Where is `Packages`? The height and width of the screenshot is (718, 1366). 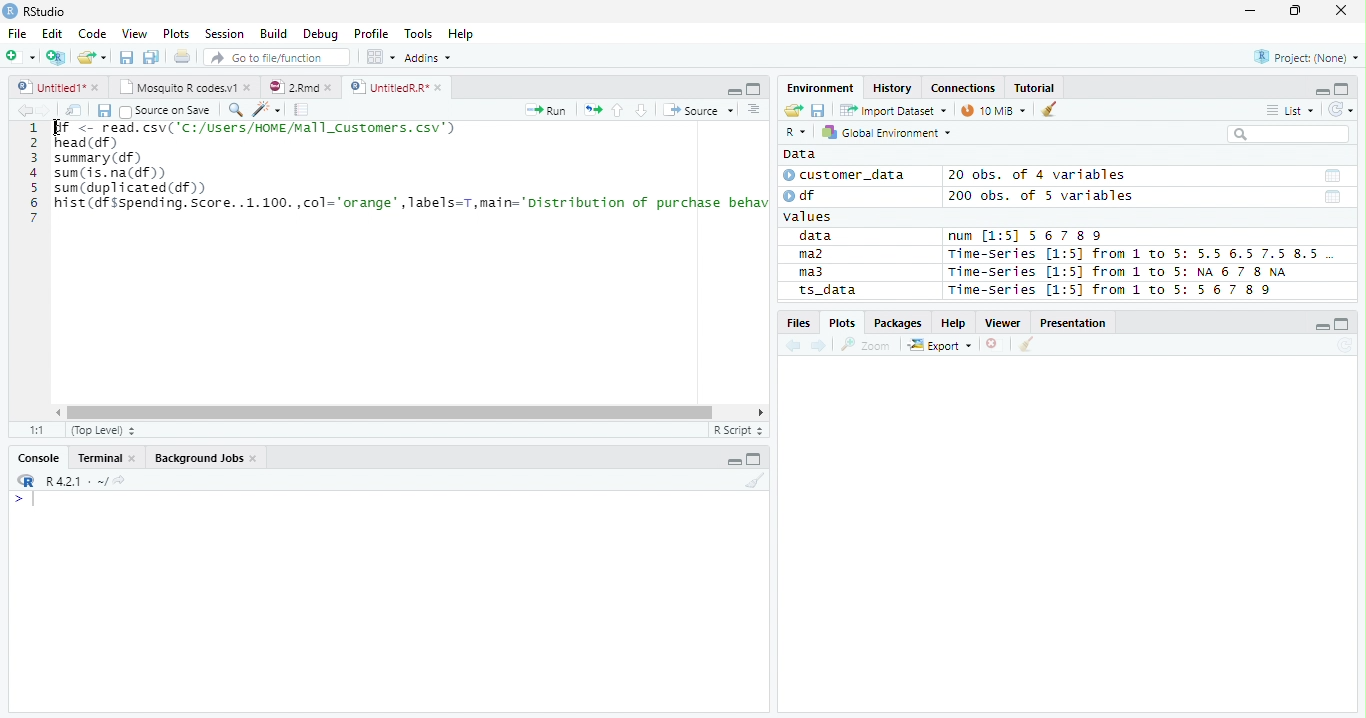
Packages is located at coordinates (897, 324).